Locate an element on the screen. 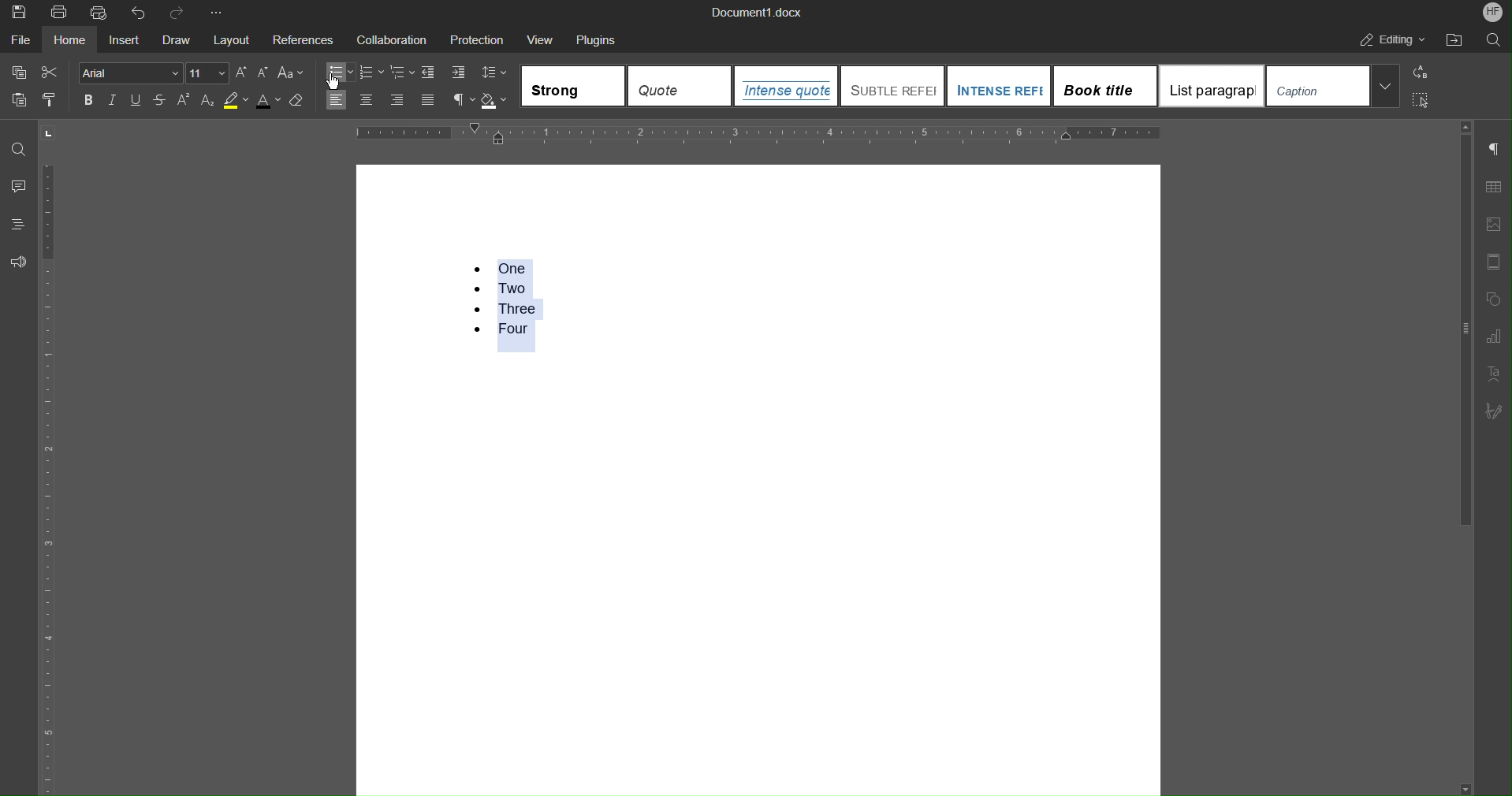 The image size is (1512, 796). Numbered List is located at coordinates (372, 72).